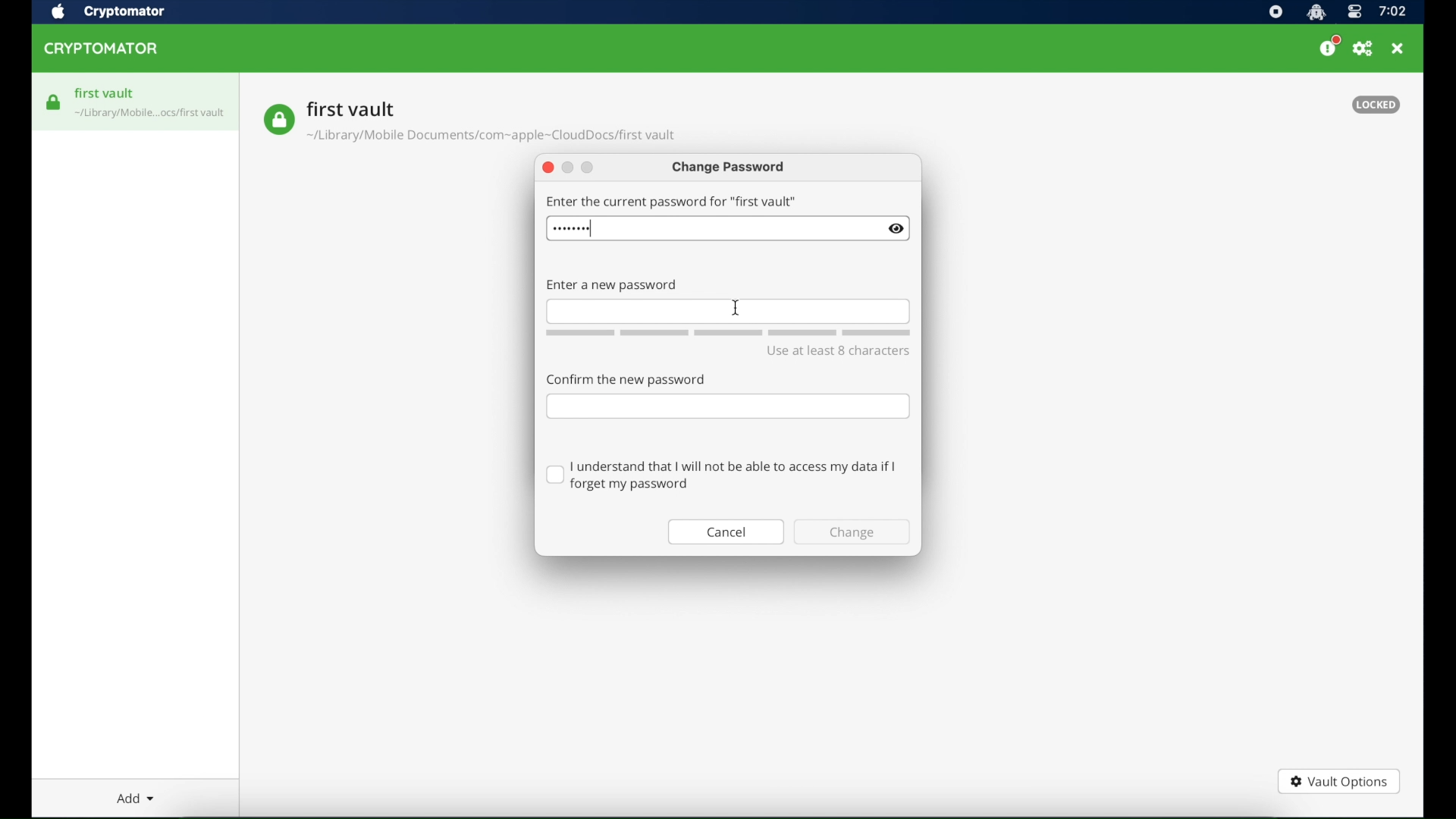 This screenshot has width=1456, height=819. Describe the element at coordinates (54, 102) in the screenshot. I see `vault icon` at that location.